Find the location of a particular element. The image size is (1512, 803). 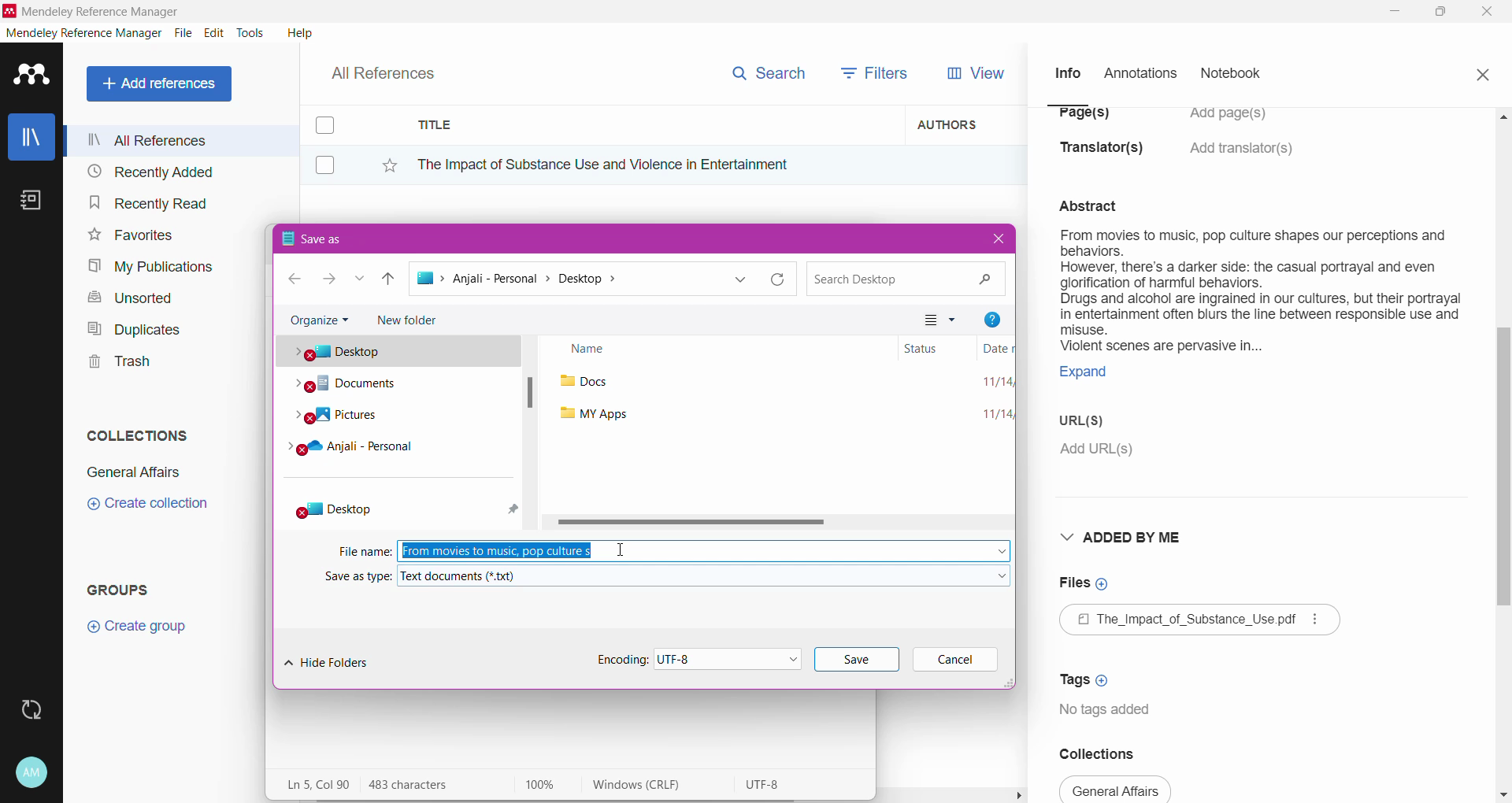

Close is located at coordinates (995, 239).